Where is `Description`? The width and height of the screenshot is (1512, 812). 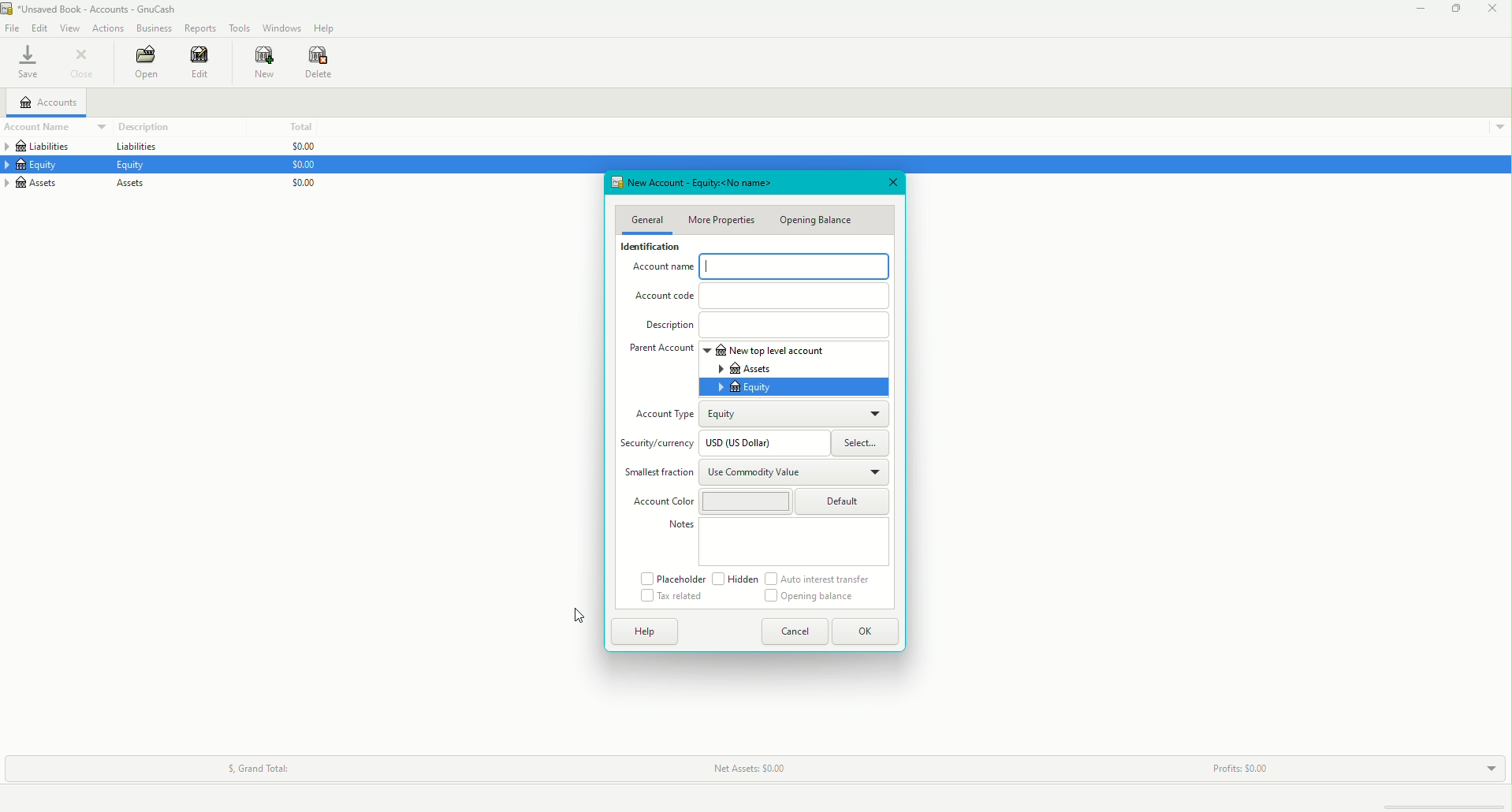 Description is located at coordinates (764, 324).